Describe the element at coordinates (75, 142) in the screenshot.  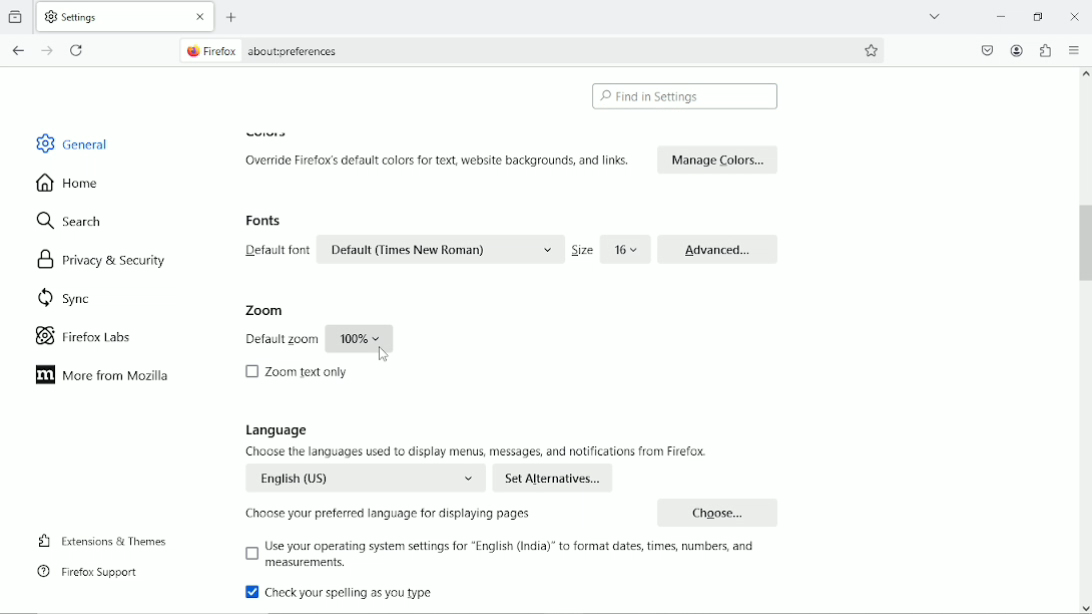
I see `General` at that location.